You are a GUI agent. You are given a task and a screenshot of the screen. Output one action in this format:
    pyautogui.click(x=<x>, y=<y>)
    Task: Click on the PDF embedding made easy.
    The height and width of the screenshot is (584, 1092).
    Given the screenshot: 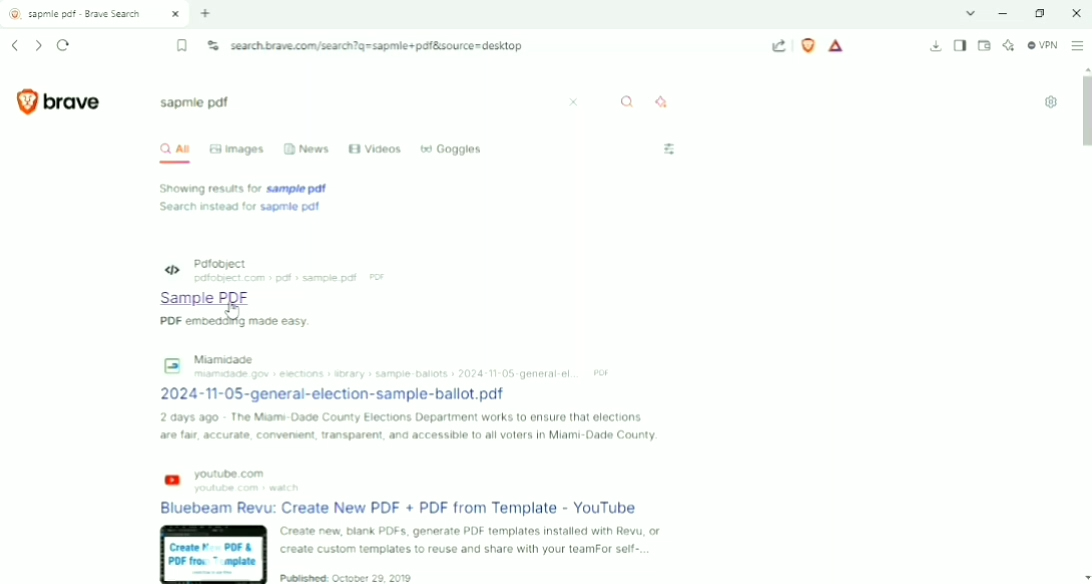 What is the action you would take?
    pyautogui.click(x=185, y=320)
    